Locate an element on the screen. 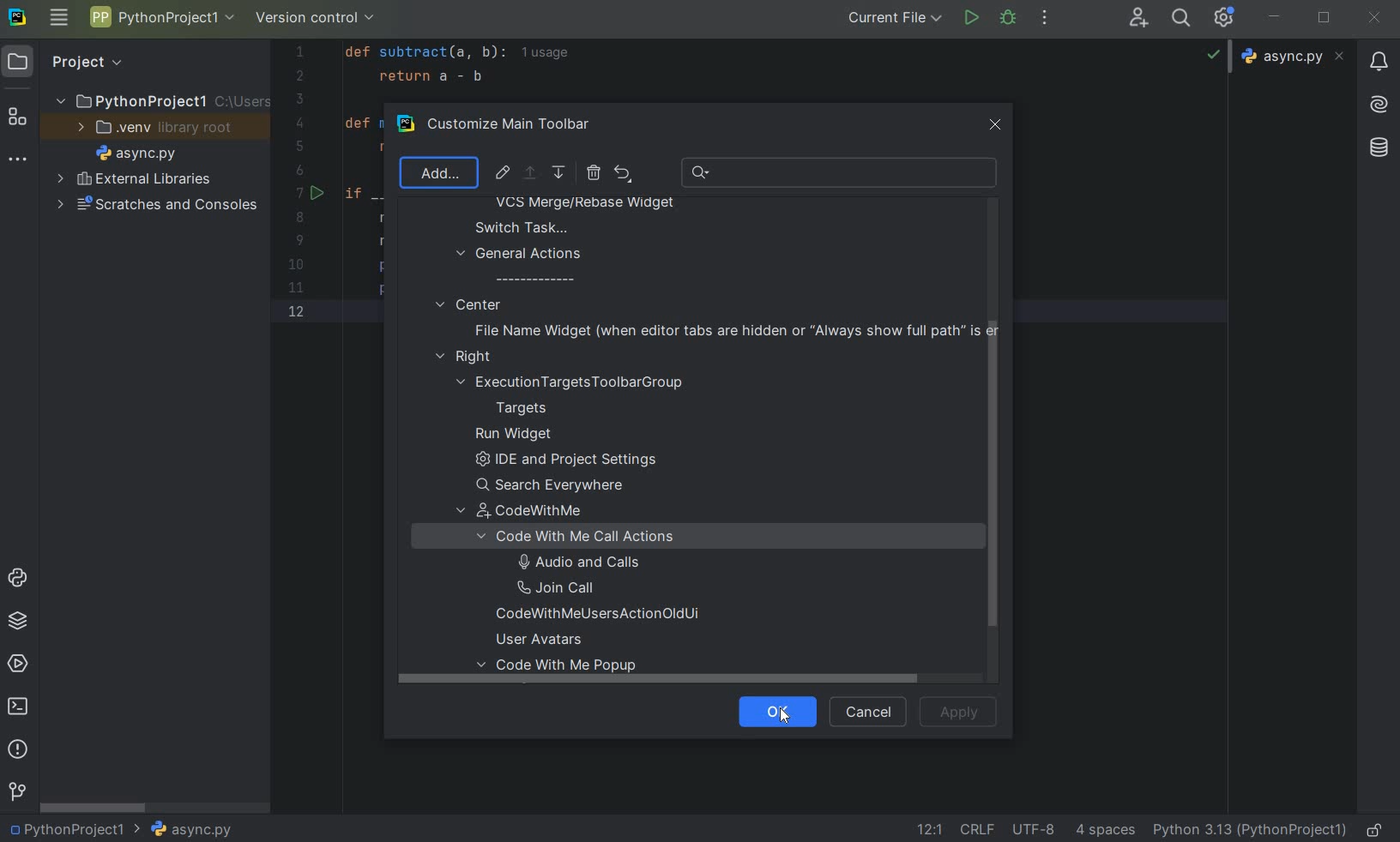 This screenshot has height=842, width=1400. CLOSE is located at coordinates (1373, 19).